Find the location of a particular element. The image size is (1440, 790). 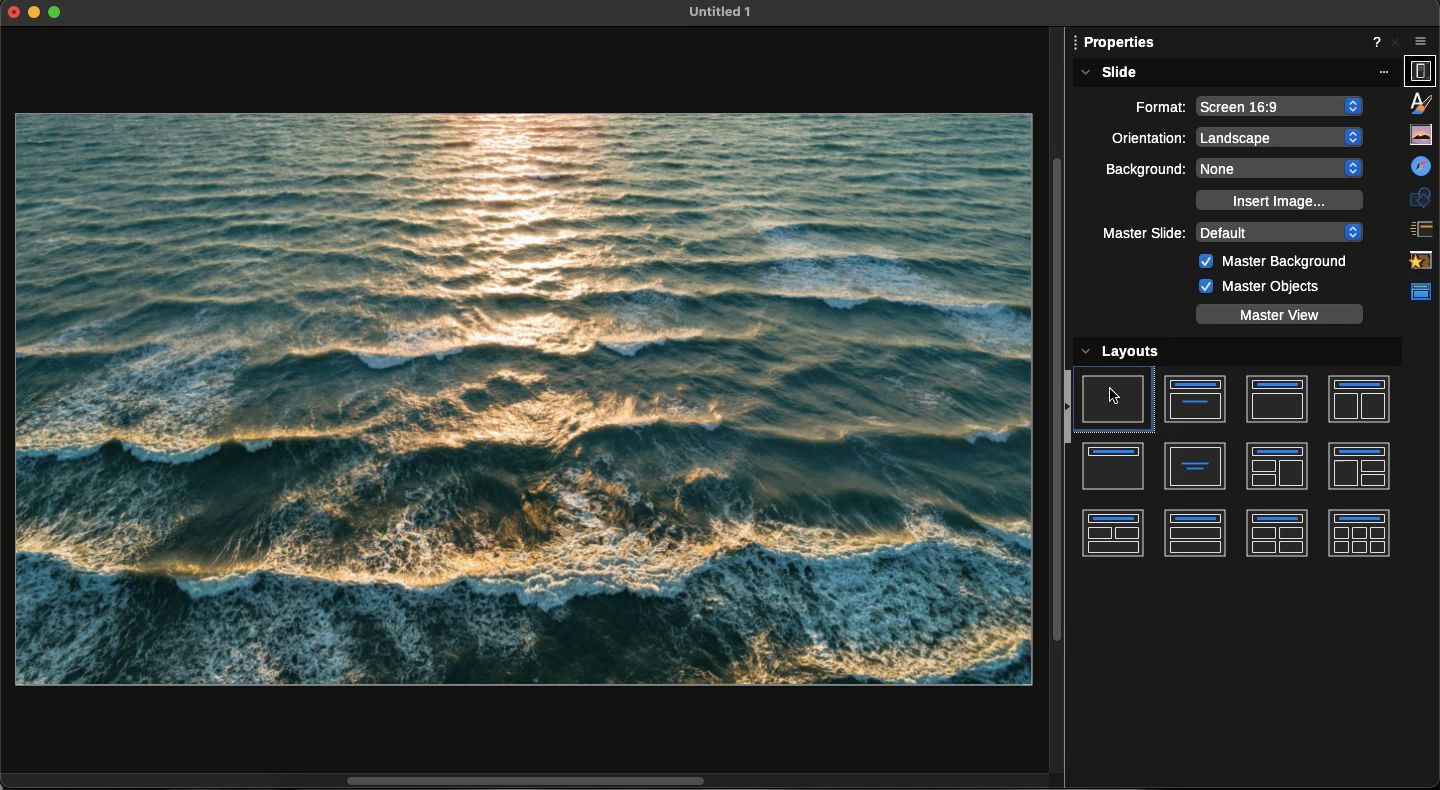

Background is located at coordinates (1145, 170).